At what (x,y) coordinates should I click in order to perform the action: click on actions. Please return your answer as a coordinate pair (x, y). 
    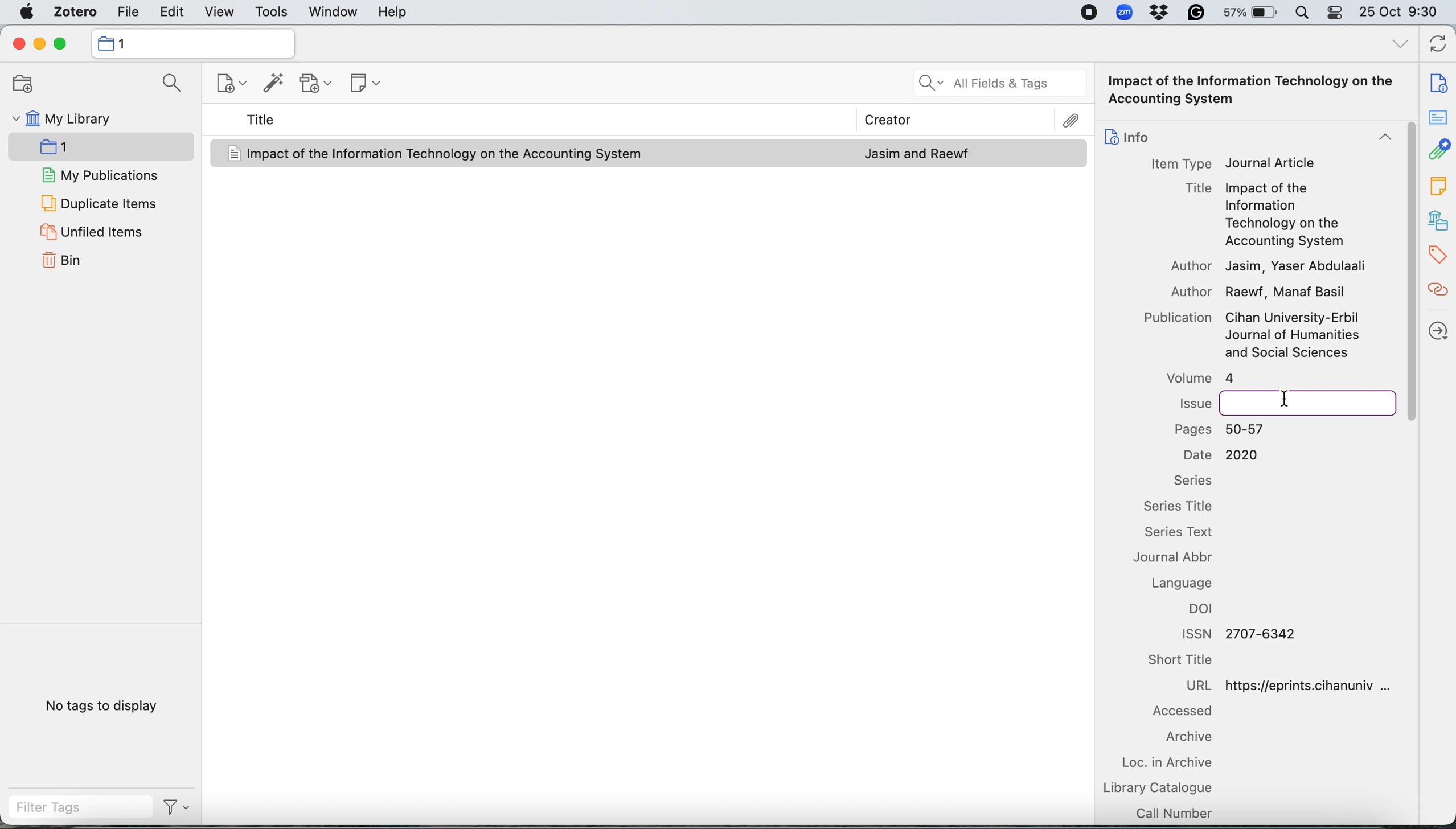
    Looking at the image, I should click on (175, 810).